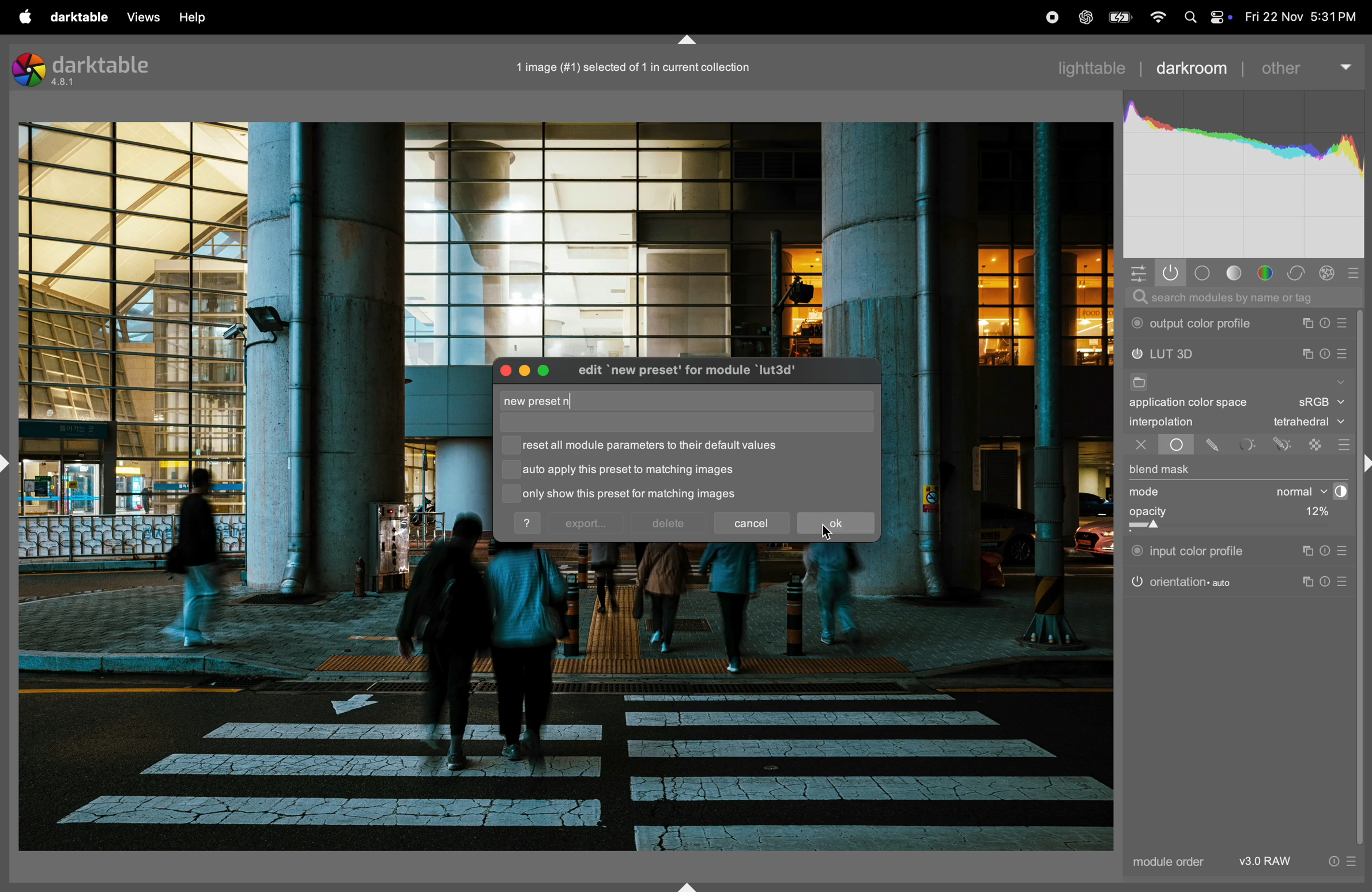 The width and height of the screenshot is (1372, 892). Describe the element at coordinates (1310, 583) in the screenshot. I see `instance` at that location.